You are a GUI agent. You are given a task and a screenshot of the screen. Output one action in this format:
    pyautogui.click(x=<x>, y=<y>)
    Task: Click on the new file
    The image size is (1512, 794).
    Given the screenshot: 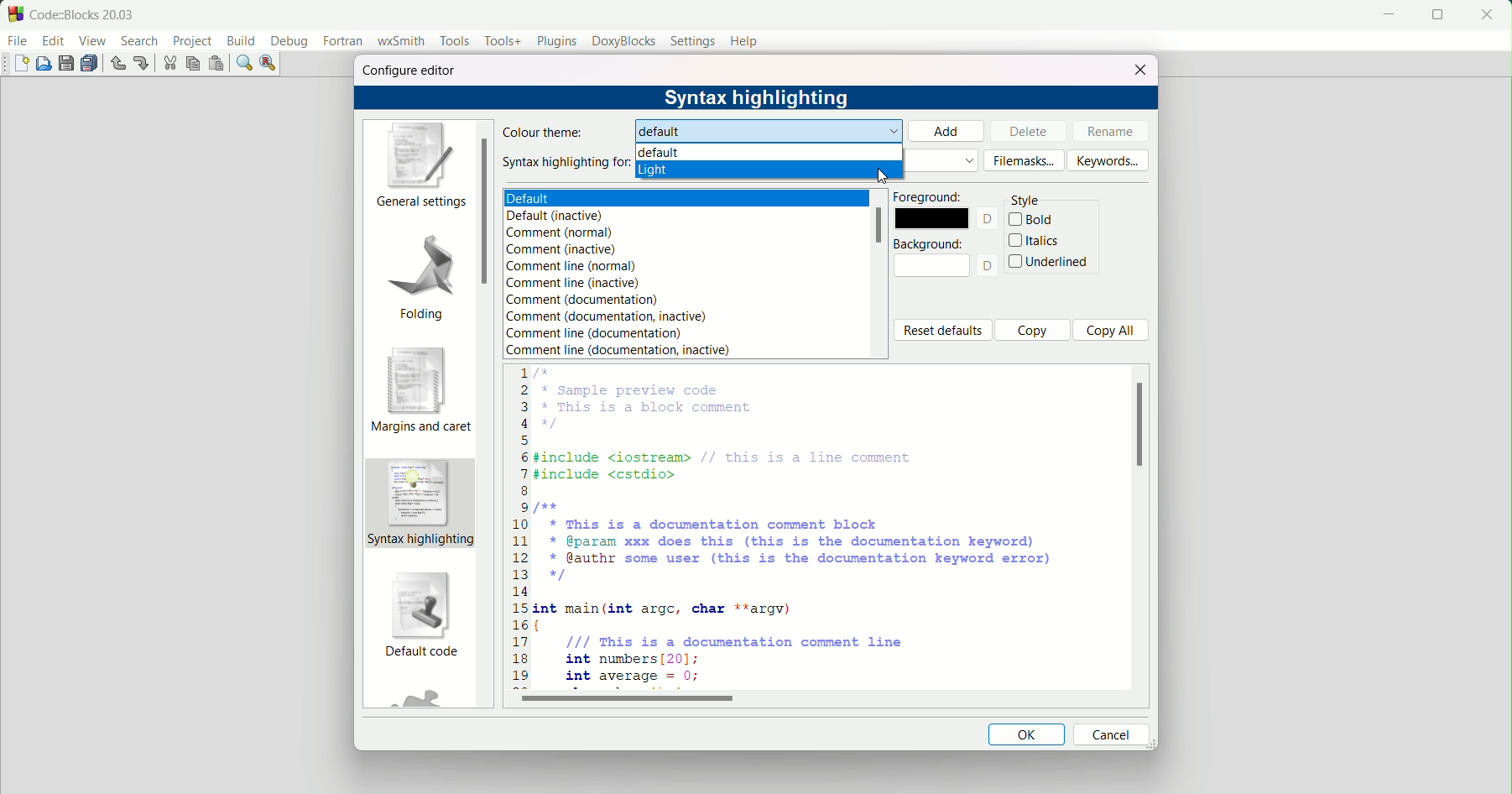 What is the action you would take?
    pyautogui.click(x=23, y=65)
    